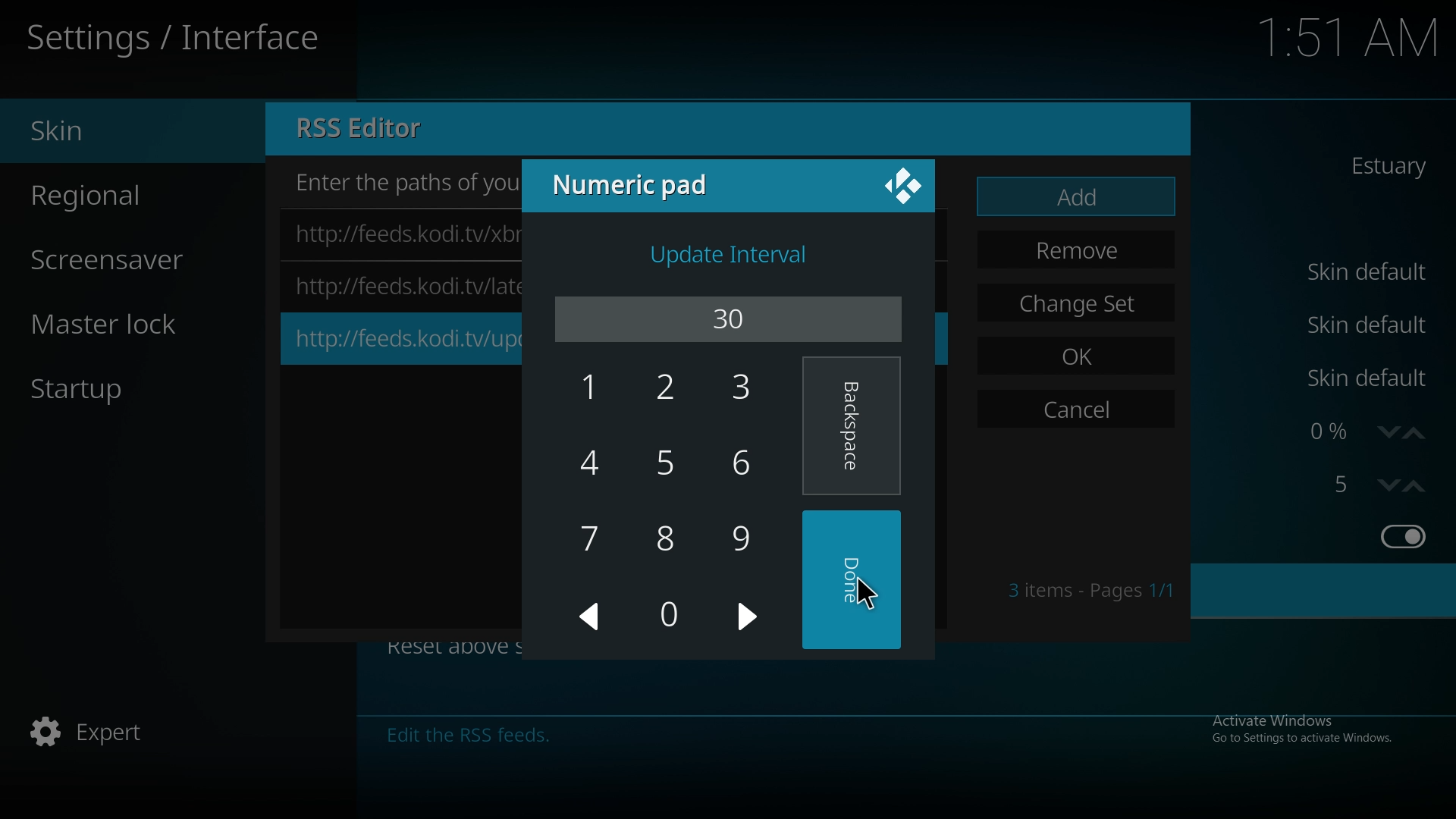  I want to click on update interval, so click(733, 254).